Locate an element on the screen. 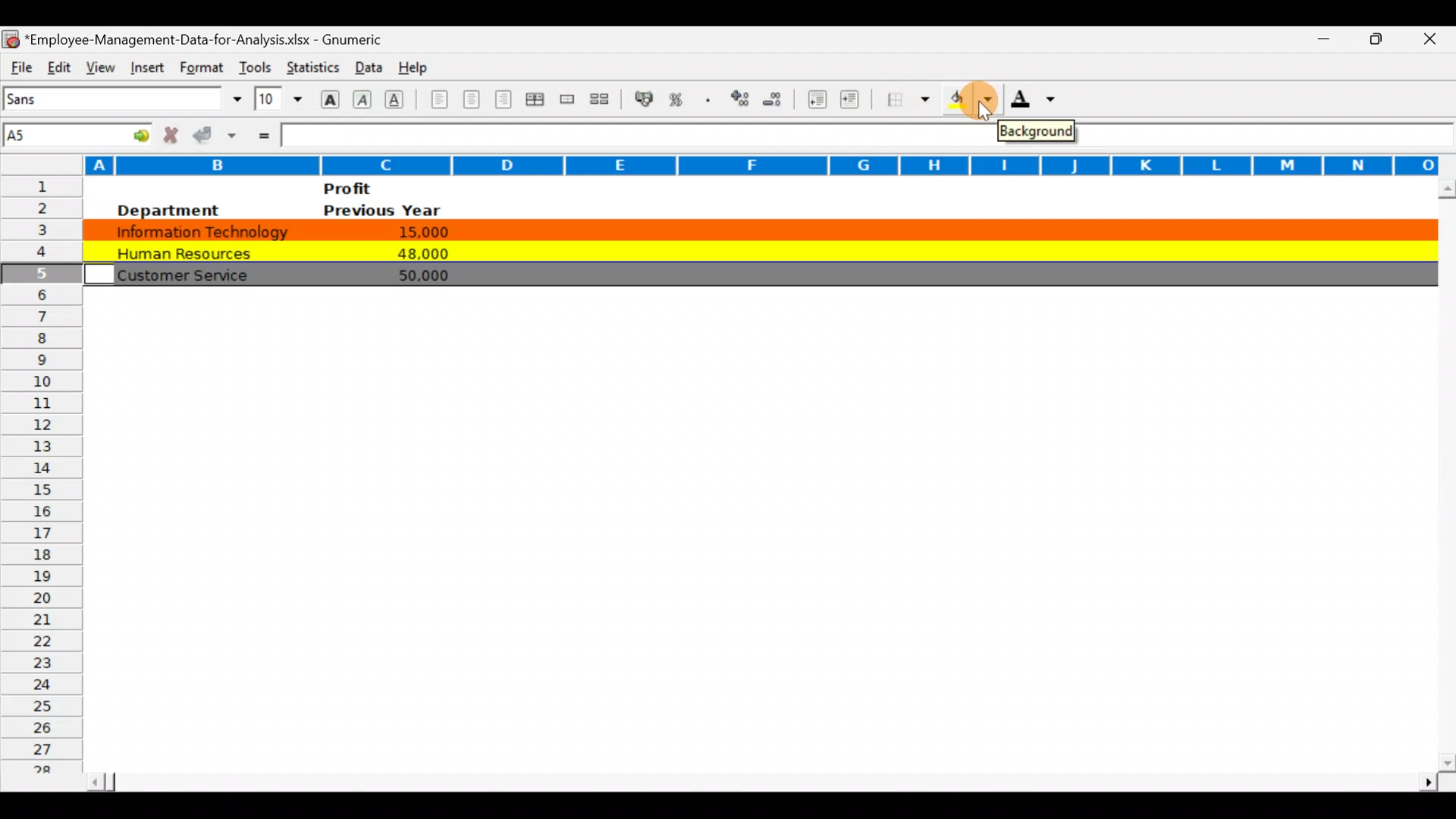  Row 5 of data selected is located at coordinates (756, 273).